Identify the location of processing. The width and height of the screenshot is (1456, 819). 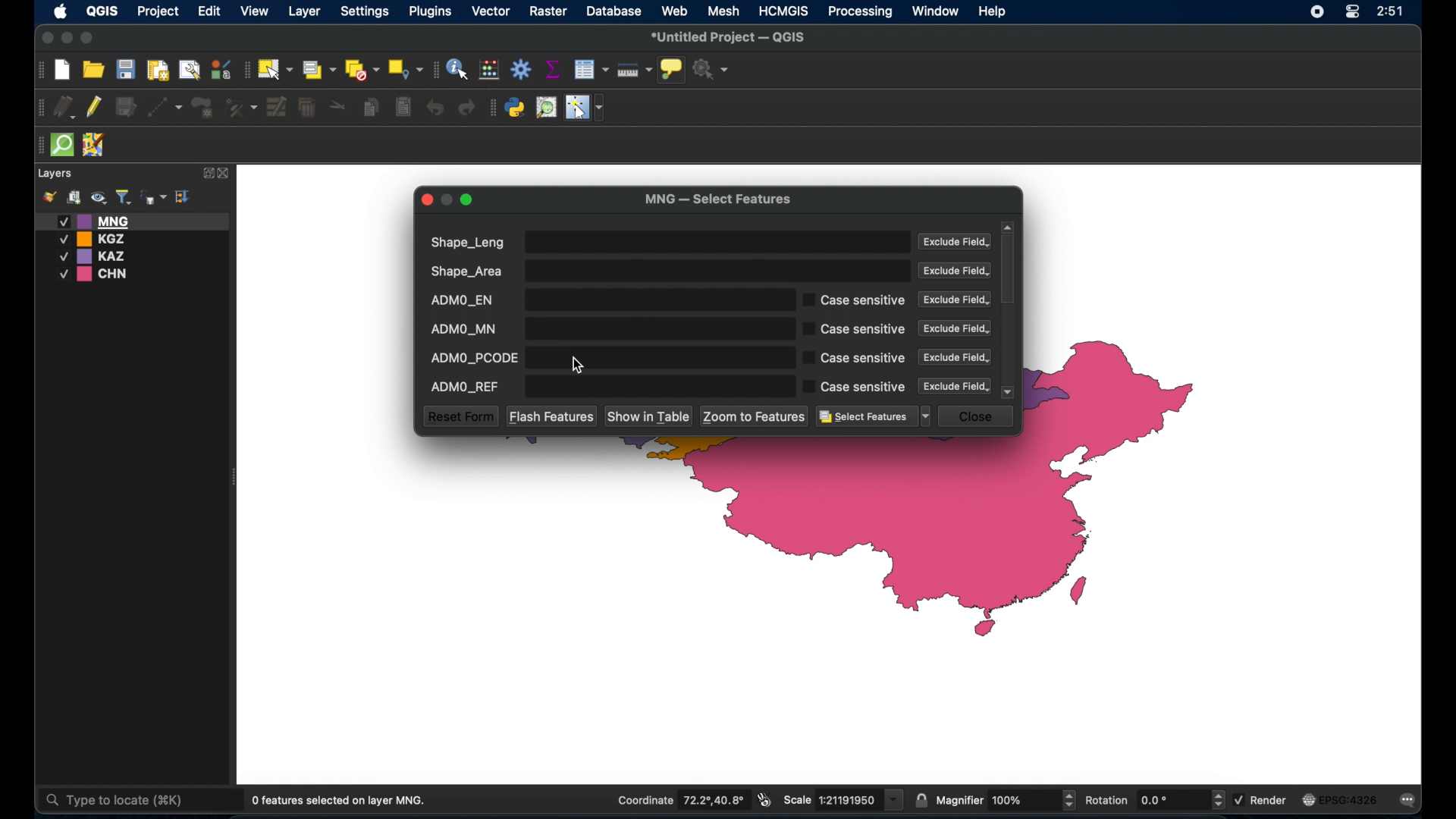
(861, 12).